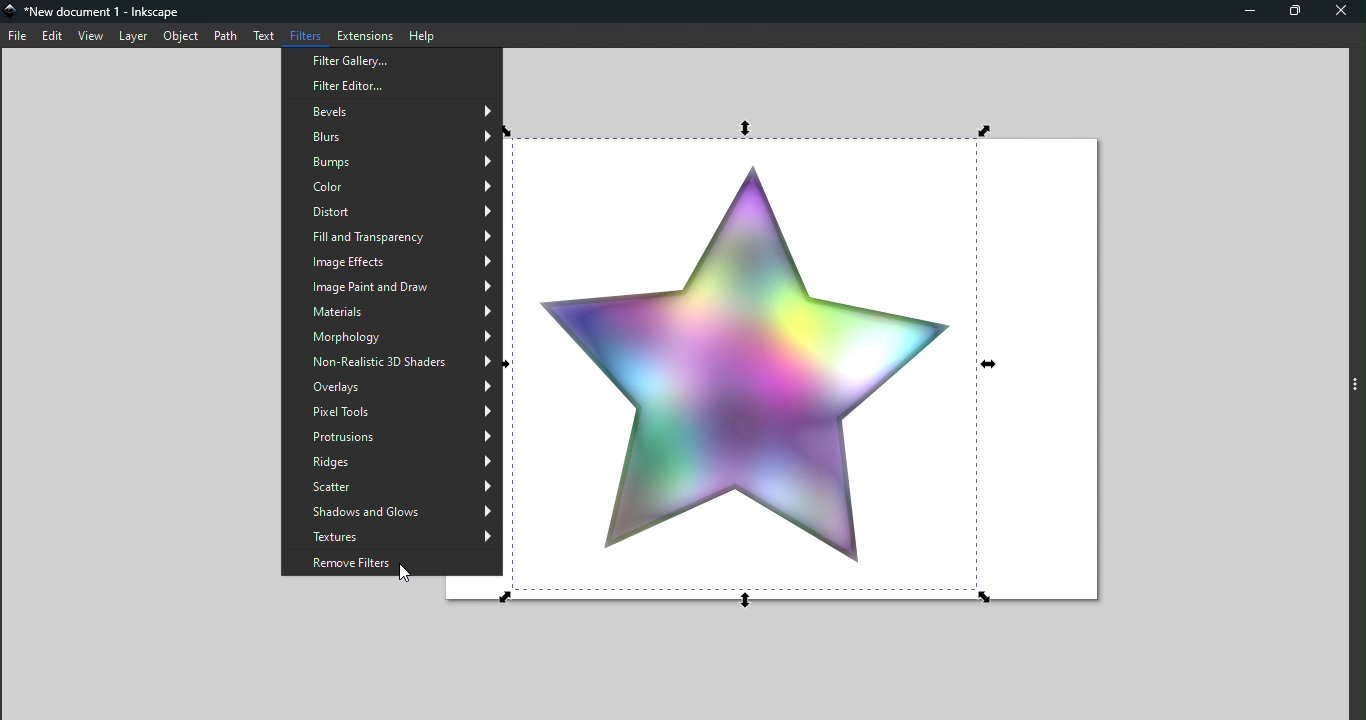 Image resolution: width=1366 pixels, height=720 pixels. What do you see at coordinates (91, 37) in the screenshot?
I see `View` at bounding box center [91, 37].